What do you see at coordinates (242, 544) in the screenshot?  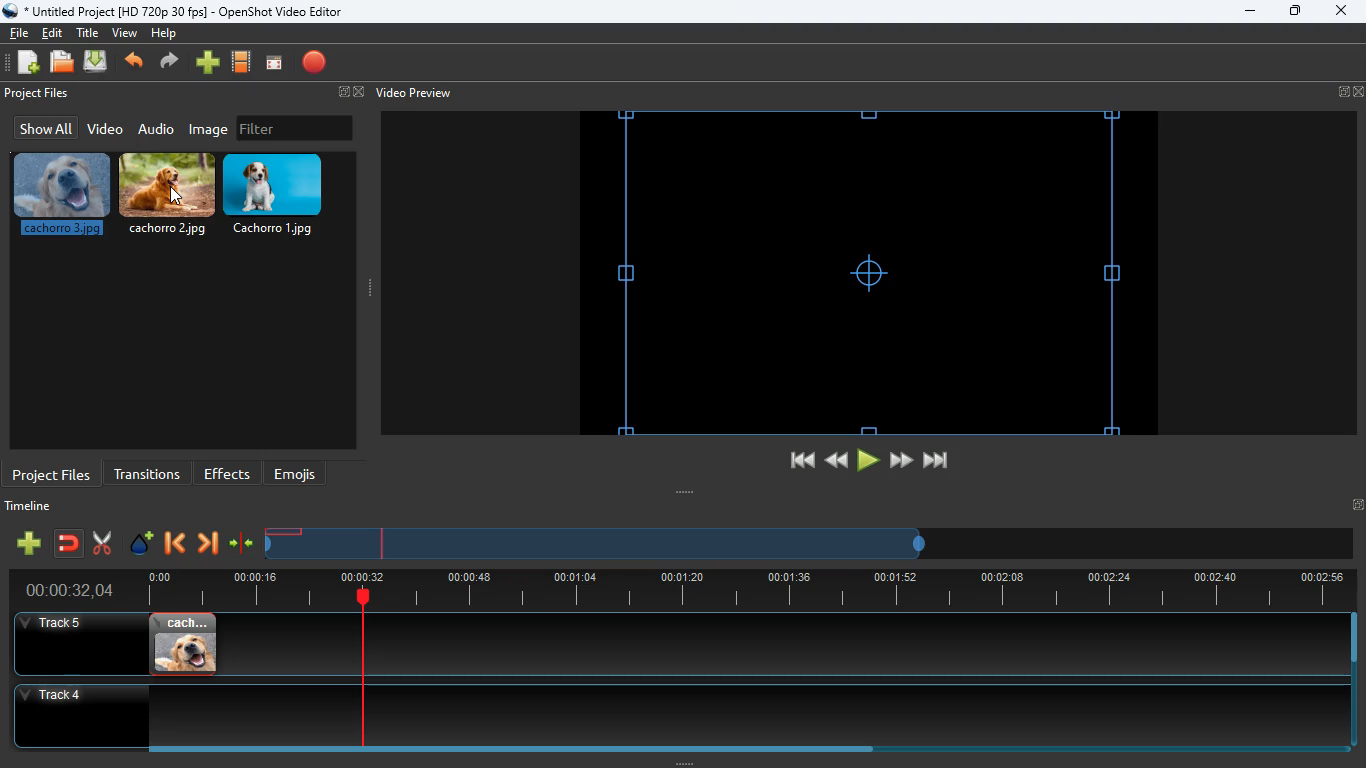 I see `compress` at bounding box center [242, 544].